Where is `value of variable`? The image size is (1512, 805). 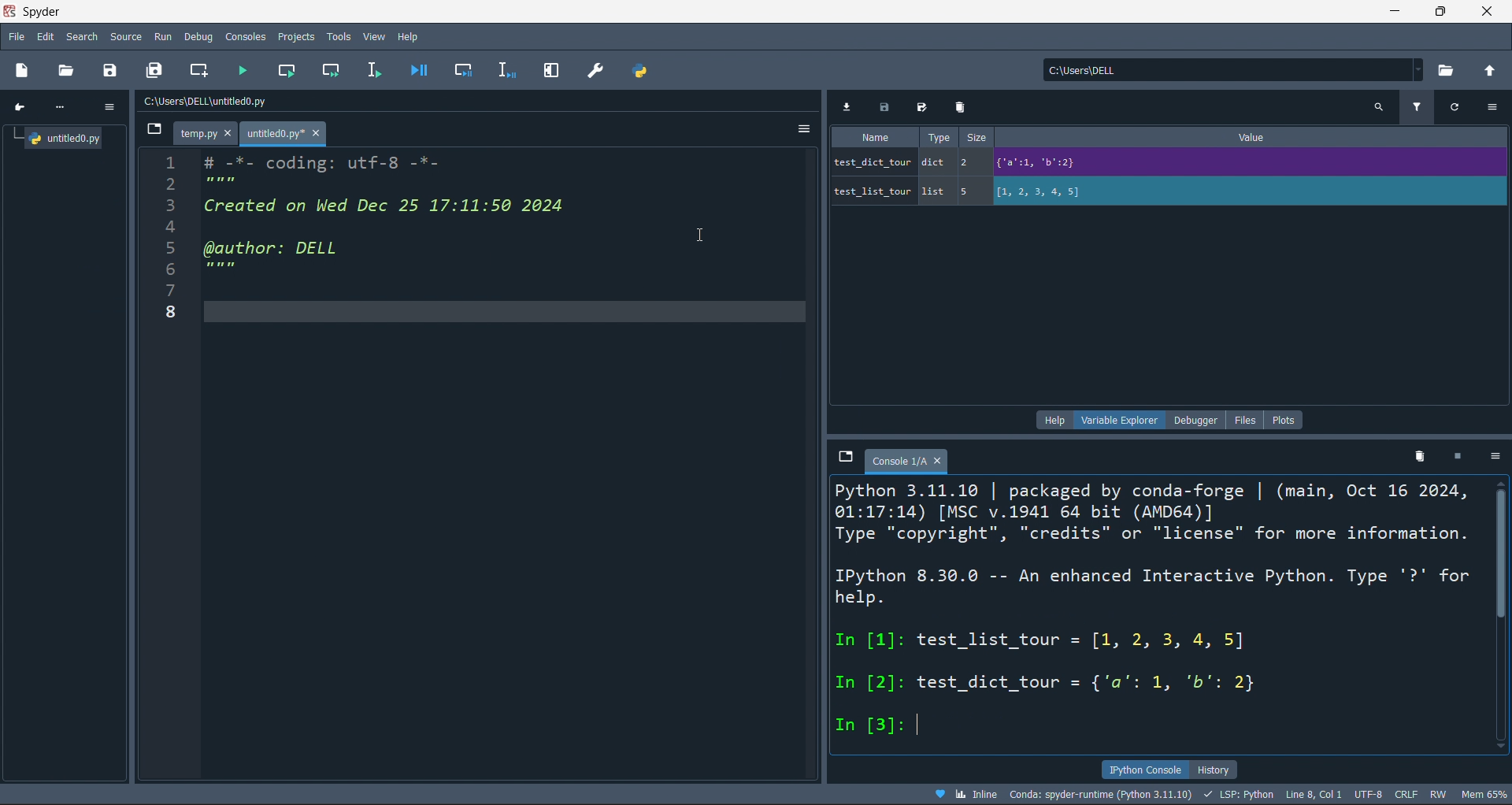
value of variable is located at coordinates (1239, 161).